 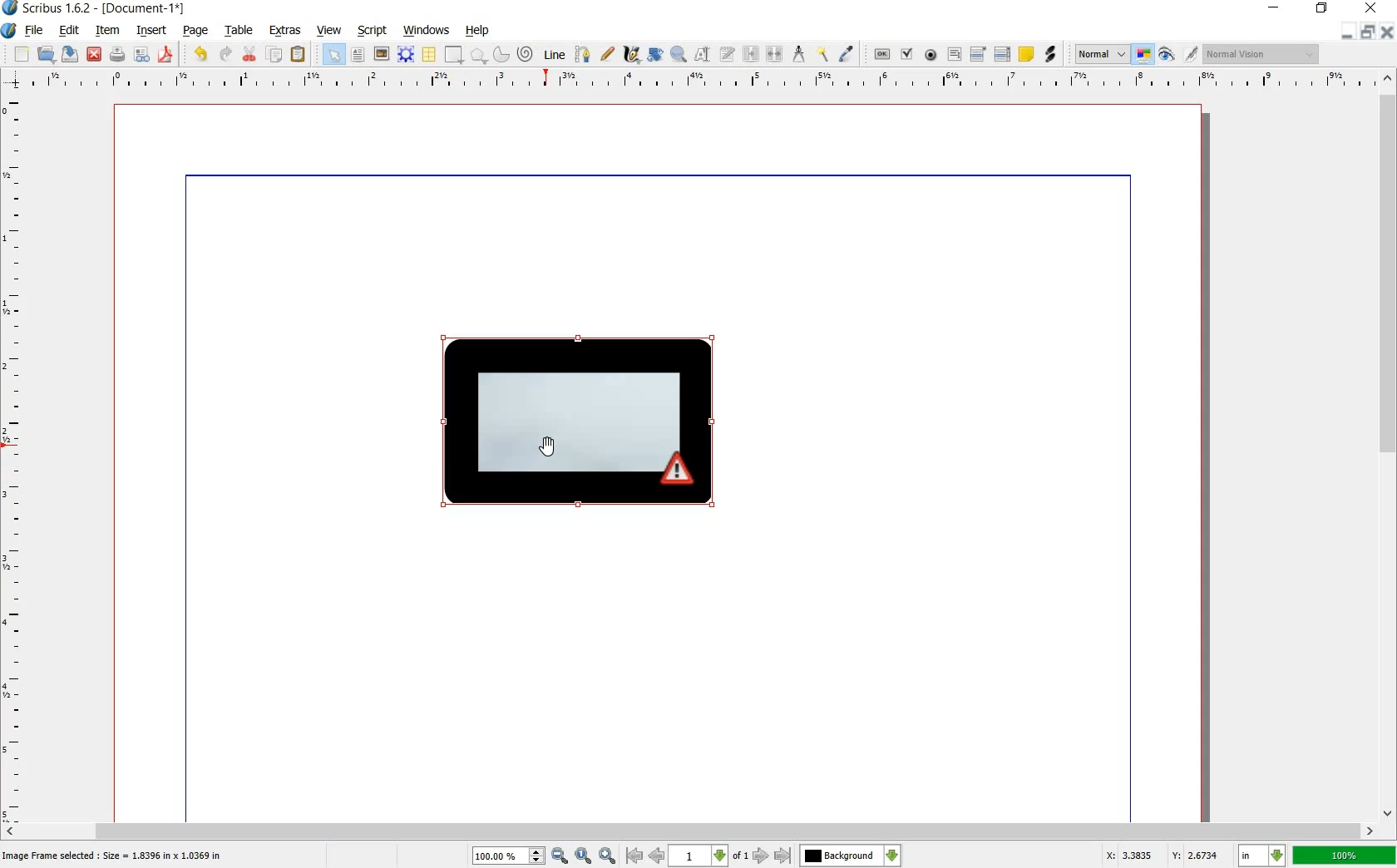 I want to click on page, so click(x=195, y=32).